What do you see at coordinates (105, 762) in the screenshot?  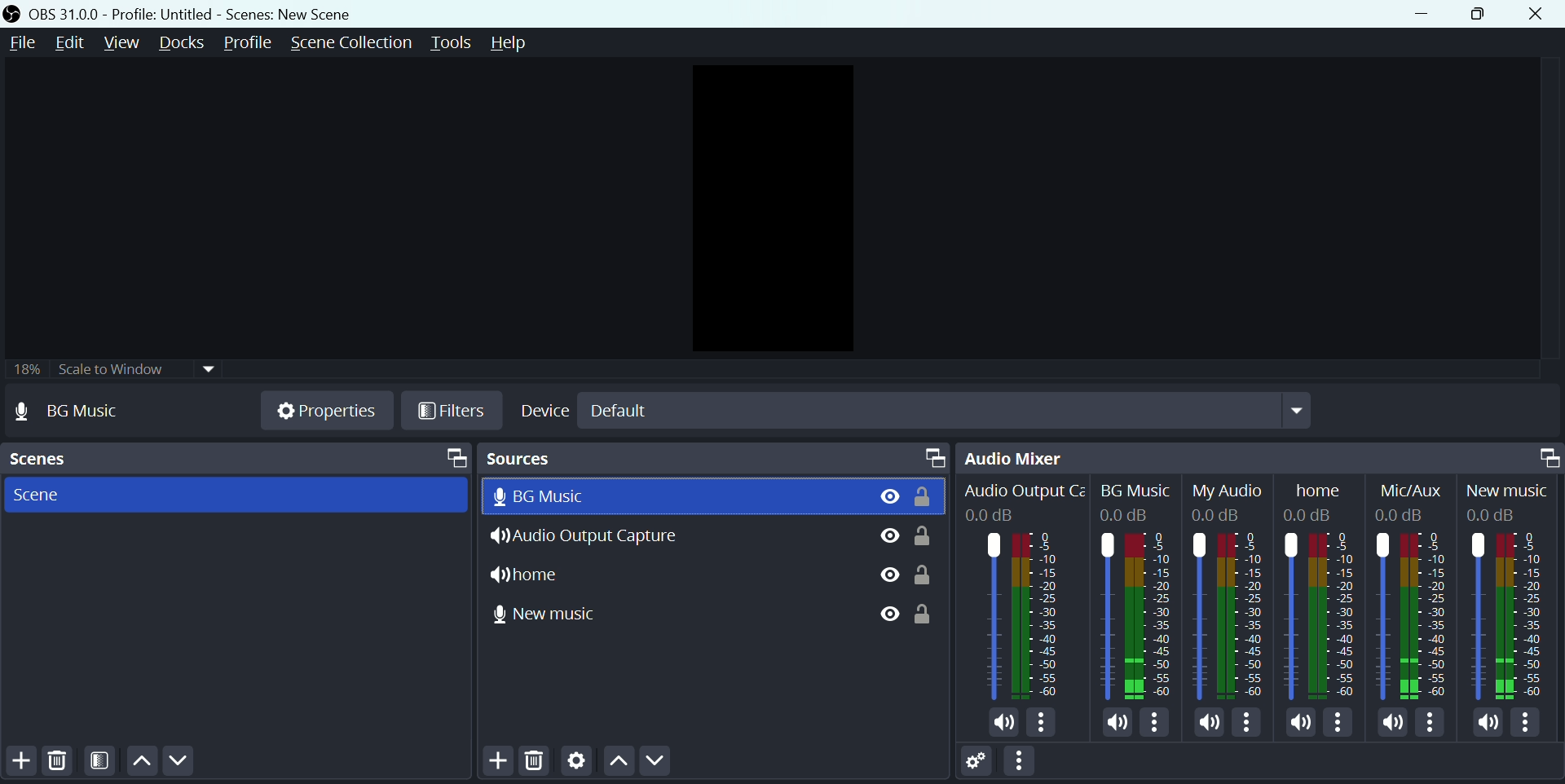 I see `Scene Filters` at bounding box center [105, 762].